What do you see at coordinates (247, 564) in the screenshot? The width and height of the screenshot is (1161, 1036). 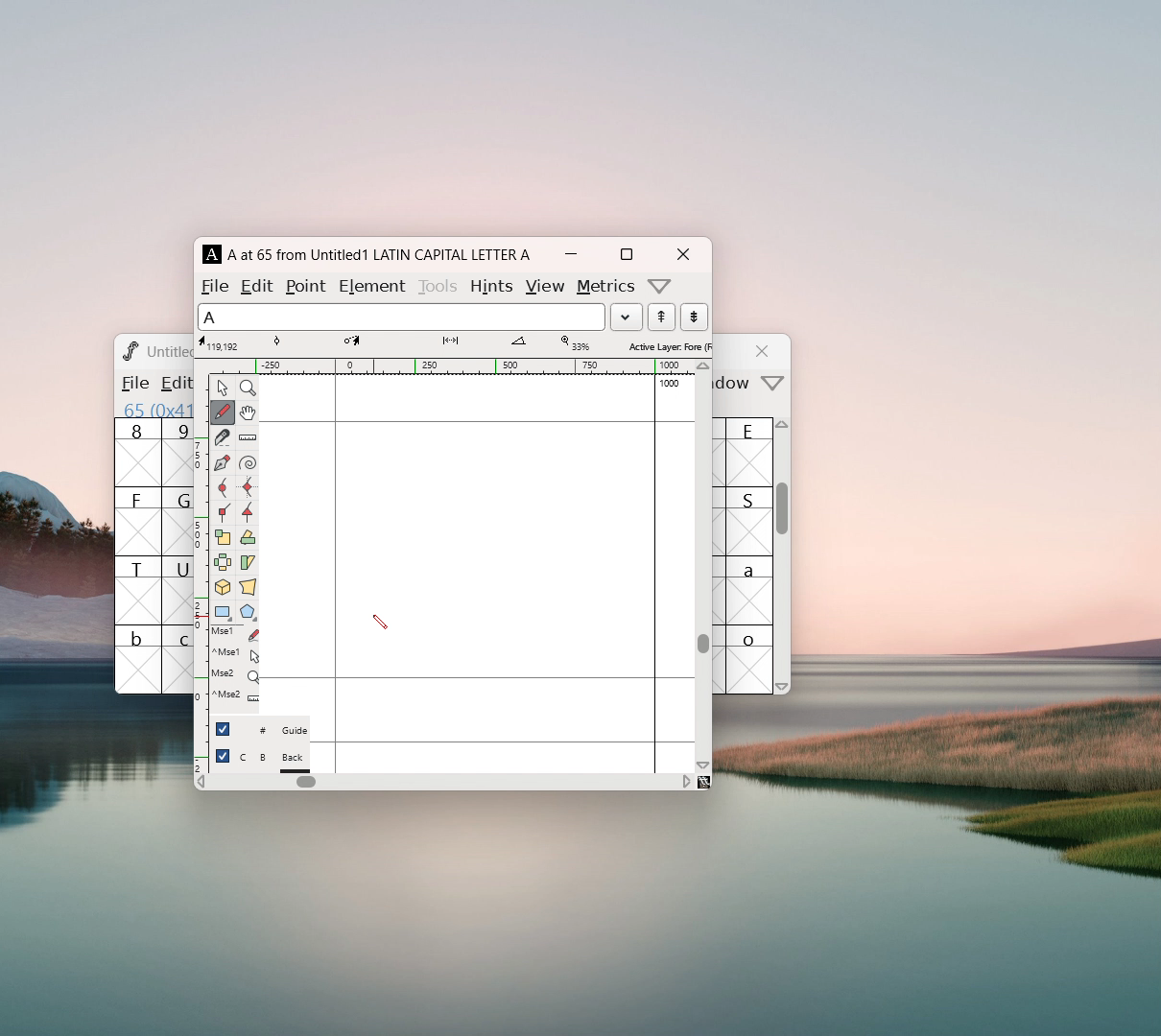 I see `skew selection` at bounding box center [247, 564].